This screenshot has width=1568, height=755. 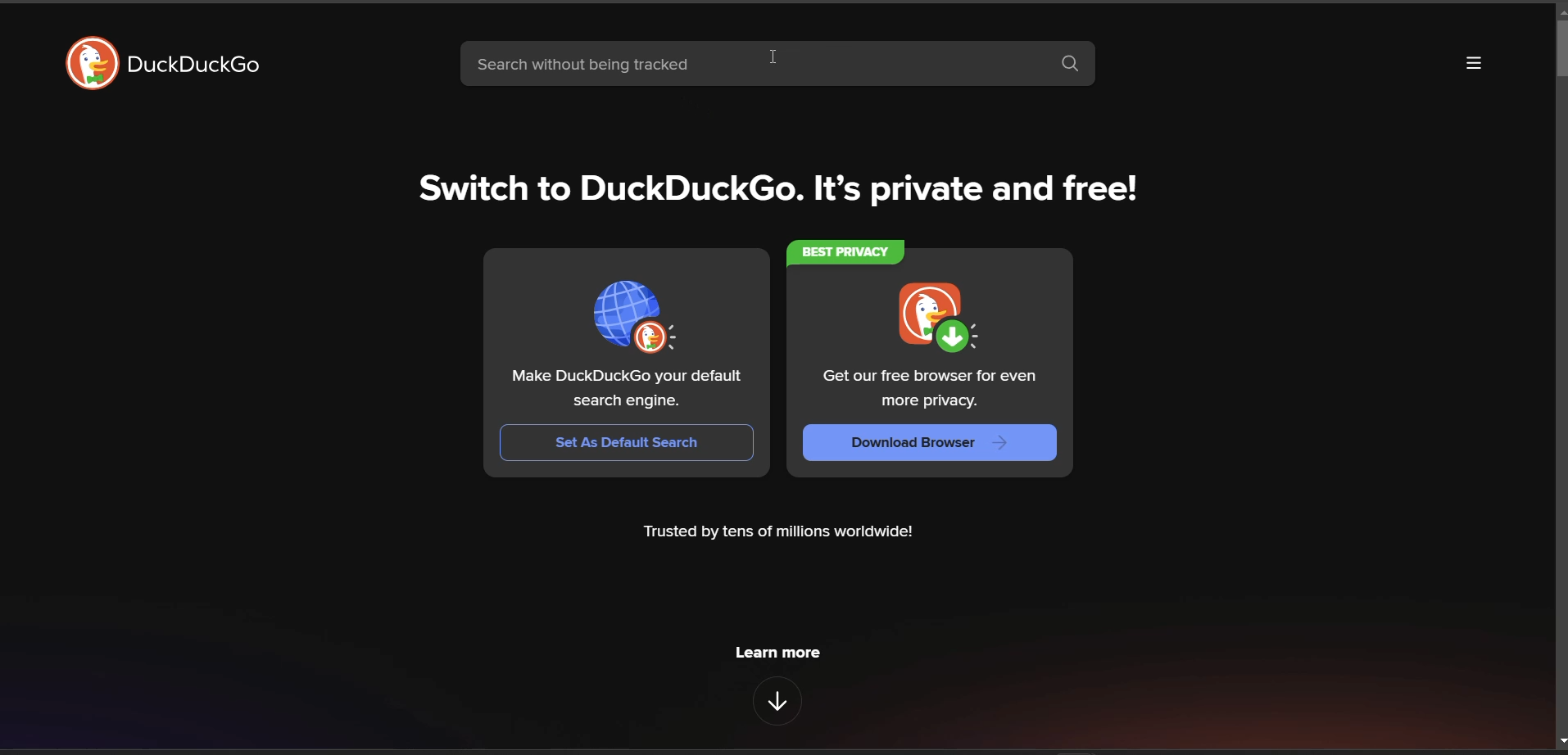 What do you see at coordinates (633, 313) in the screenshot?
I see `logo` at bounding box center [633, 313].